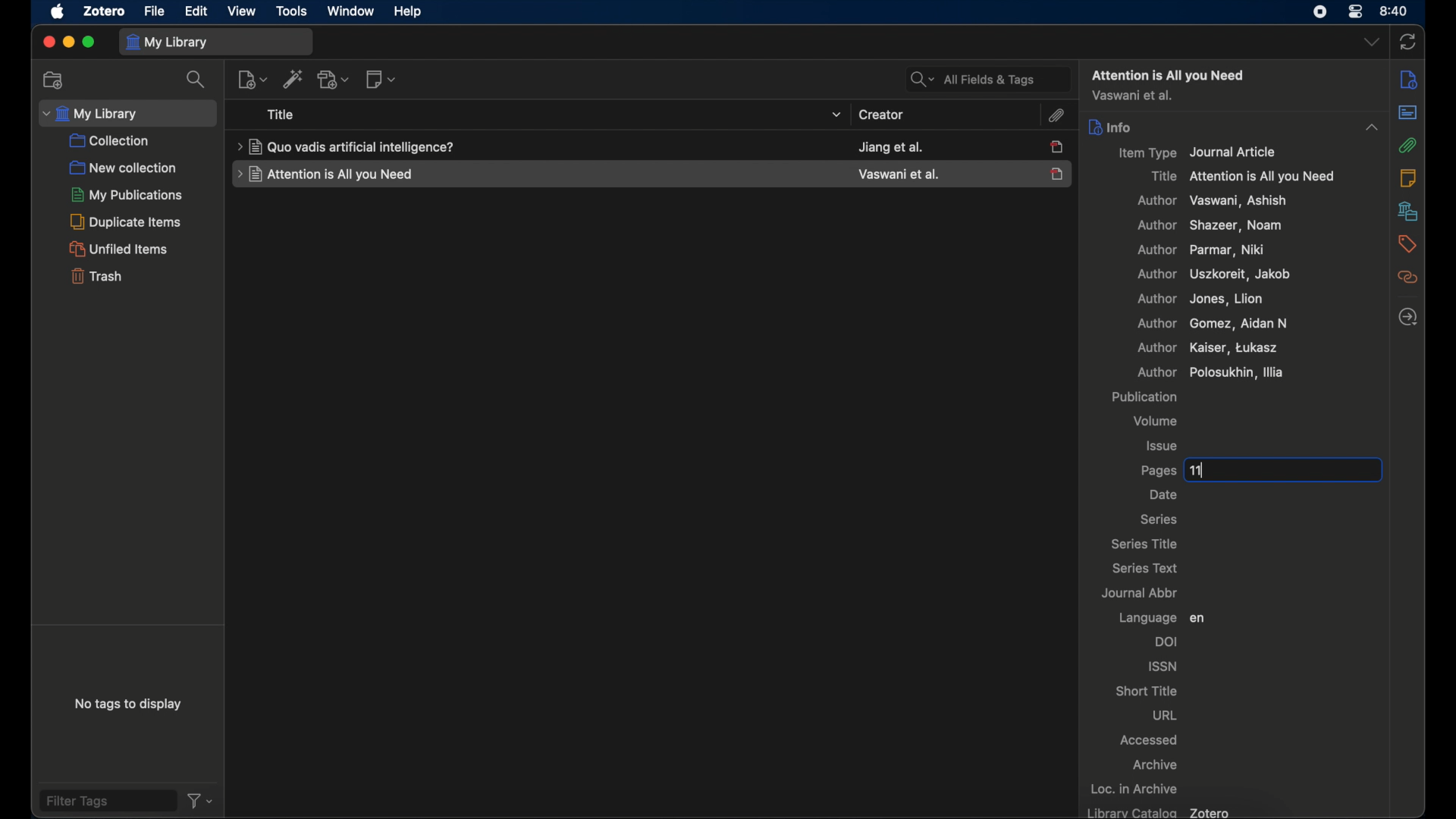 This screenshot has width=1456, height=819. I want to click on search, so click(195, 80).